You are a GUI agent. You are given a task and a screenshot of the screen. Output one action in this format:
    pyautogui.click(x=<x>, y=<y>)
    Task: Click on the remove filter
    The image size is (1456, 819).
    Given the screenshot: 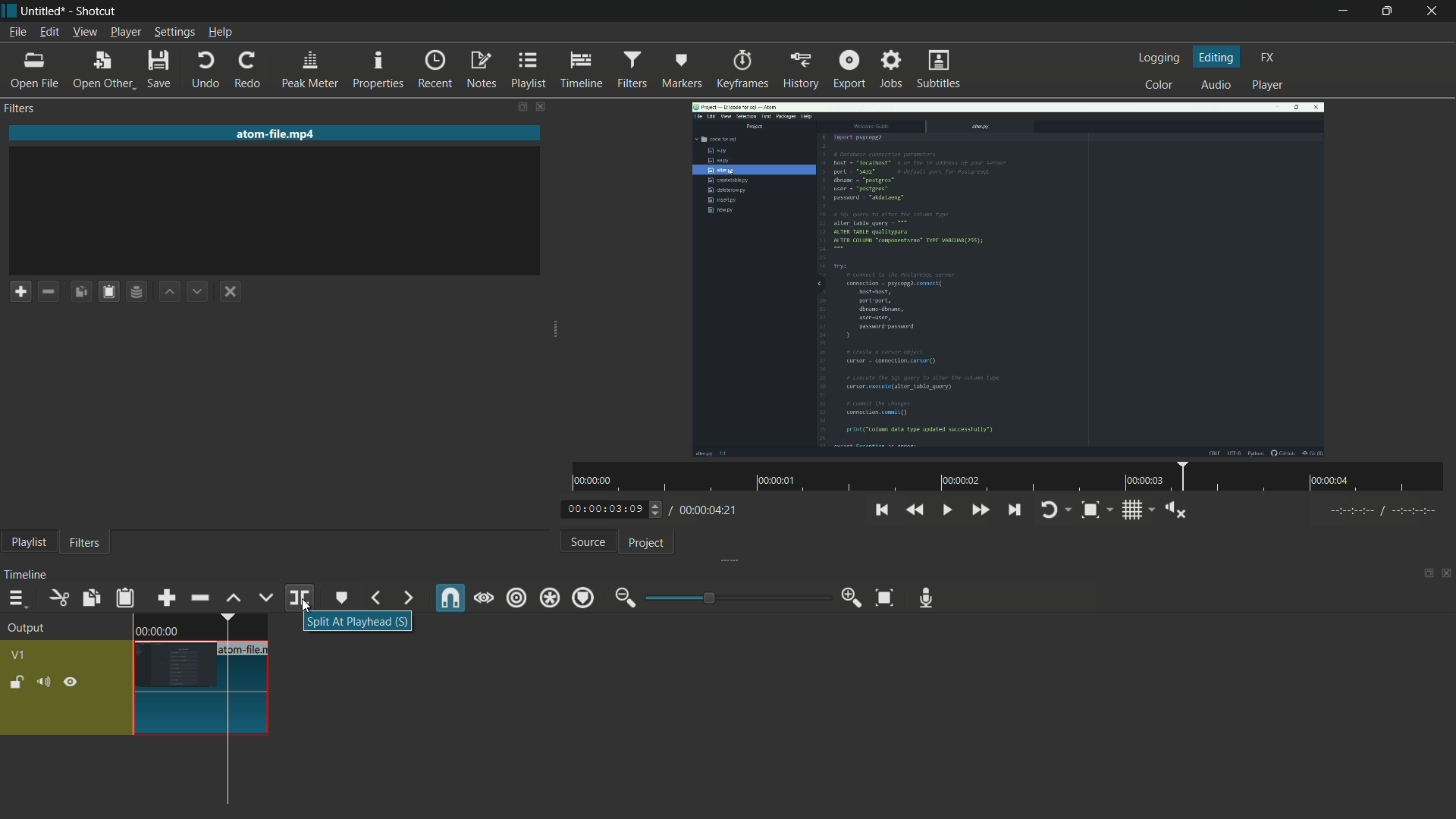 What is the action you would take?
    pyautogui.click(x=49, y=291)
    